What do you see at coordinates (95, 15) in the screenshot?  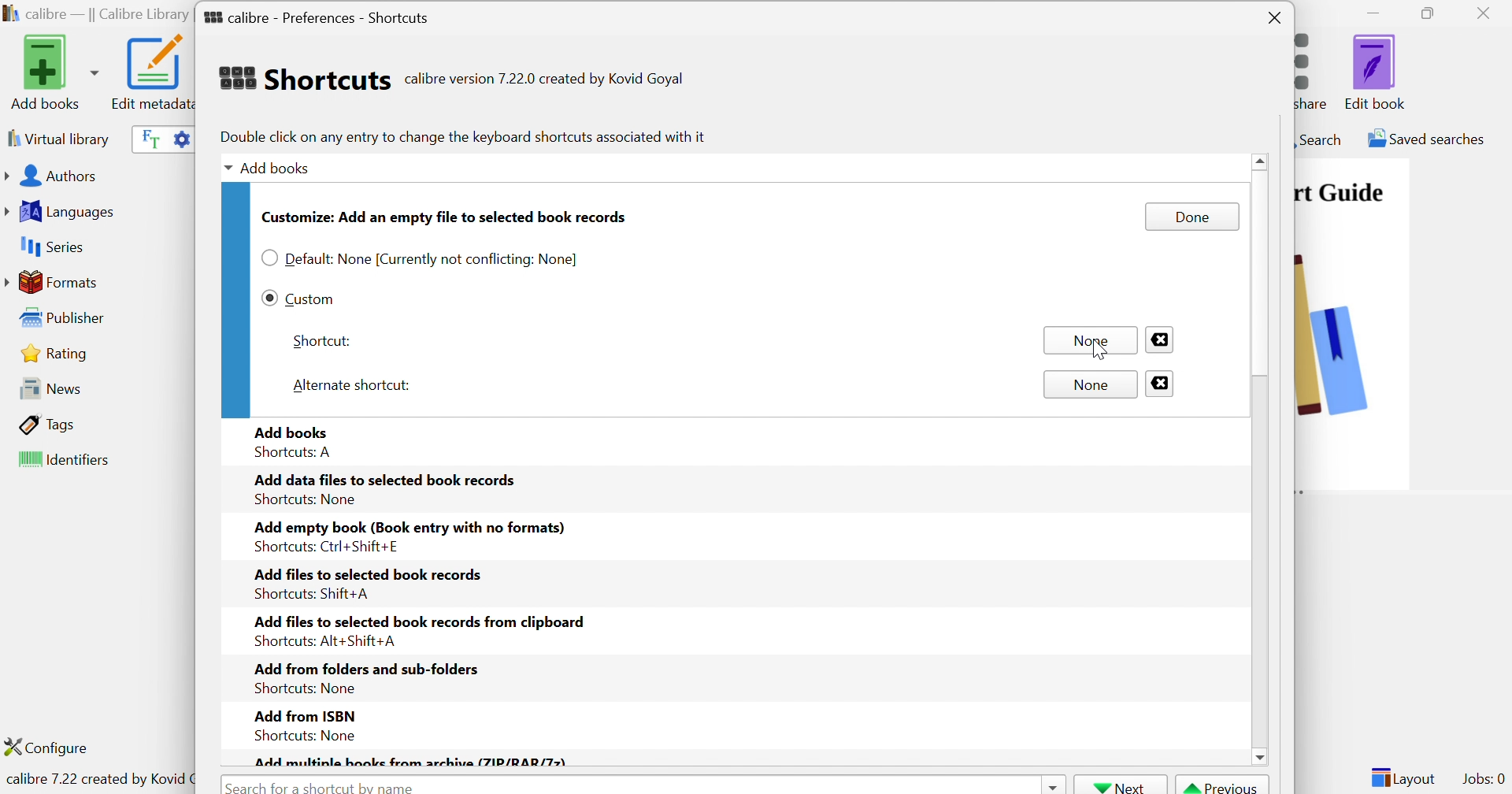 I see `calibre - || Calibre Library ||` at bounding box center [95, 15].